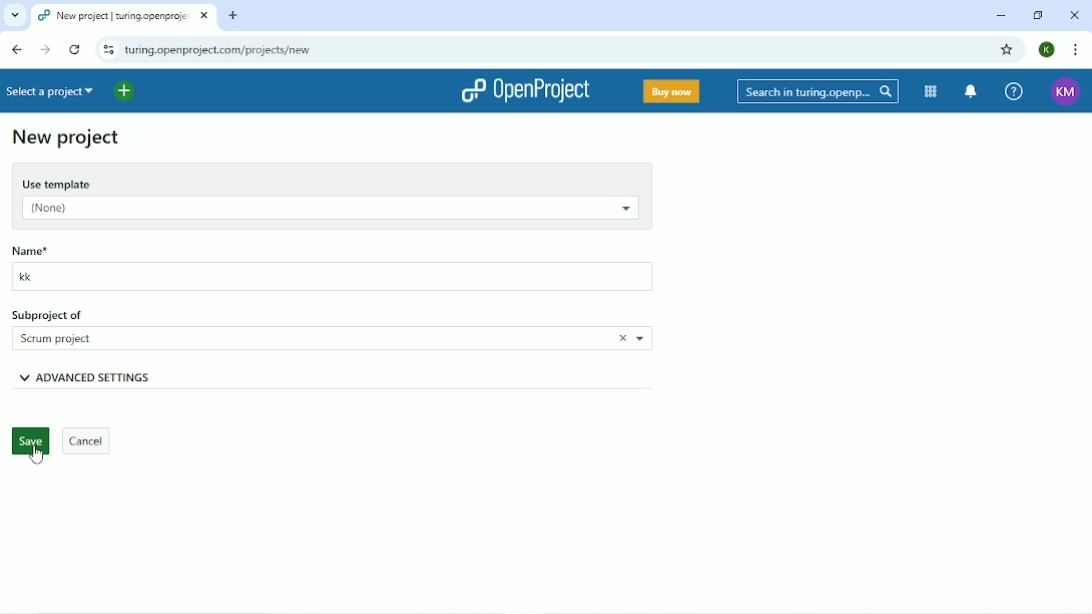 Image resolution: width=1092 pixels, height=614 pixels. What do you see at coordinates (1041, 16) in the screenshot?
I see `Restore down` at bounding box center [1041, 16].